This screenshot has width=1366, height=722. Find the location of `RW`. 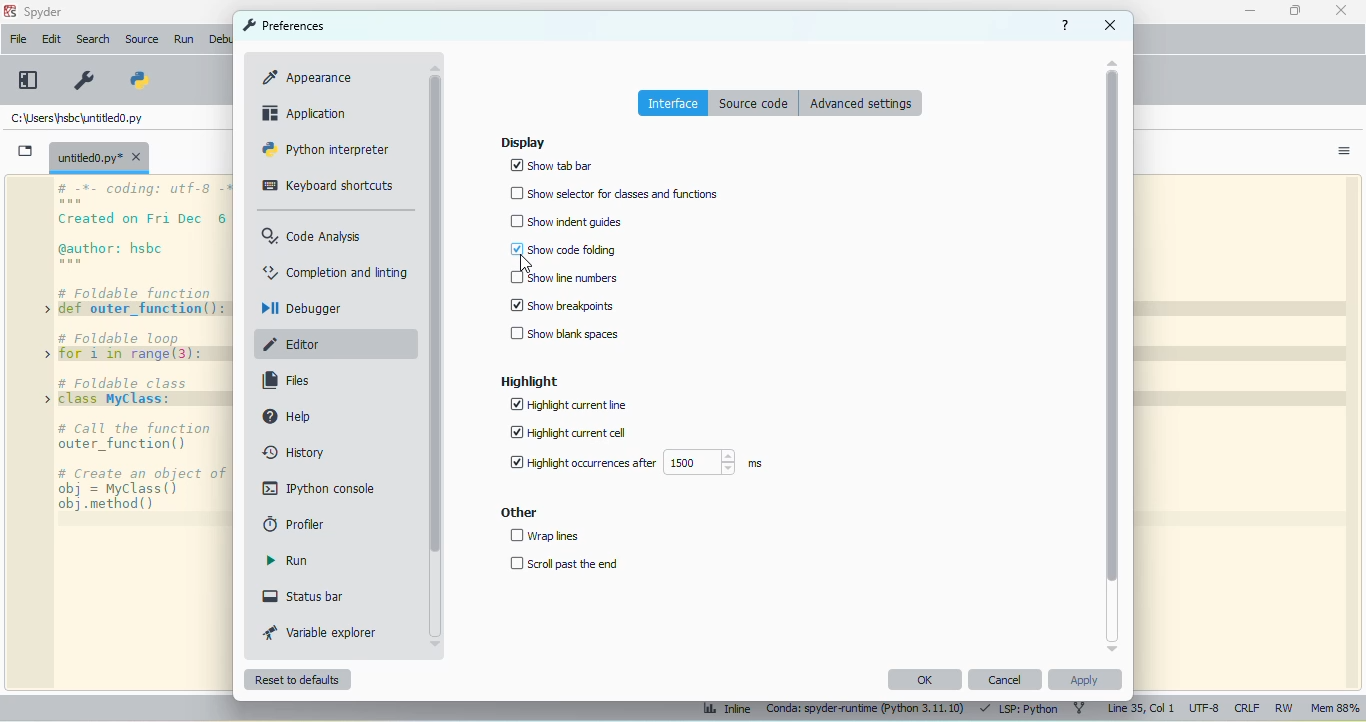

RW is located at coordinates (1285, 708).